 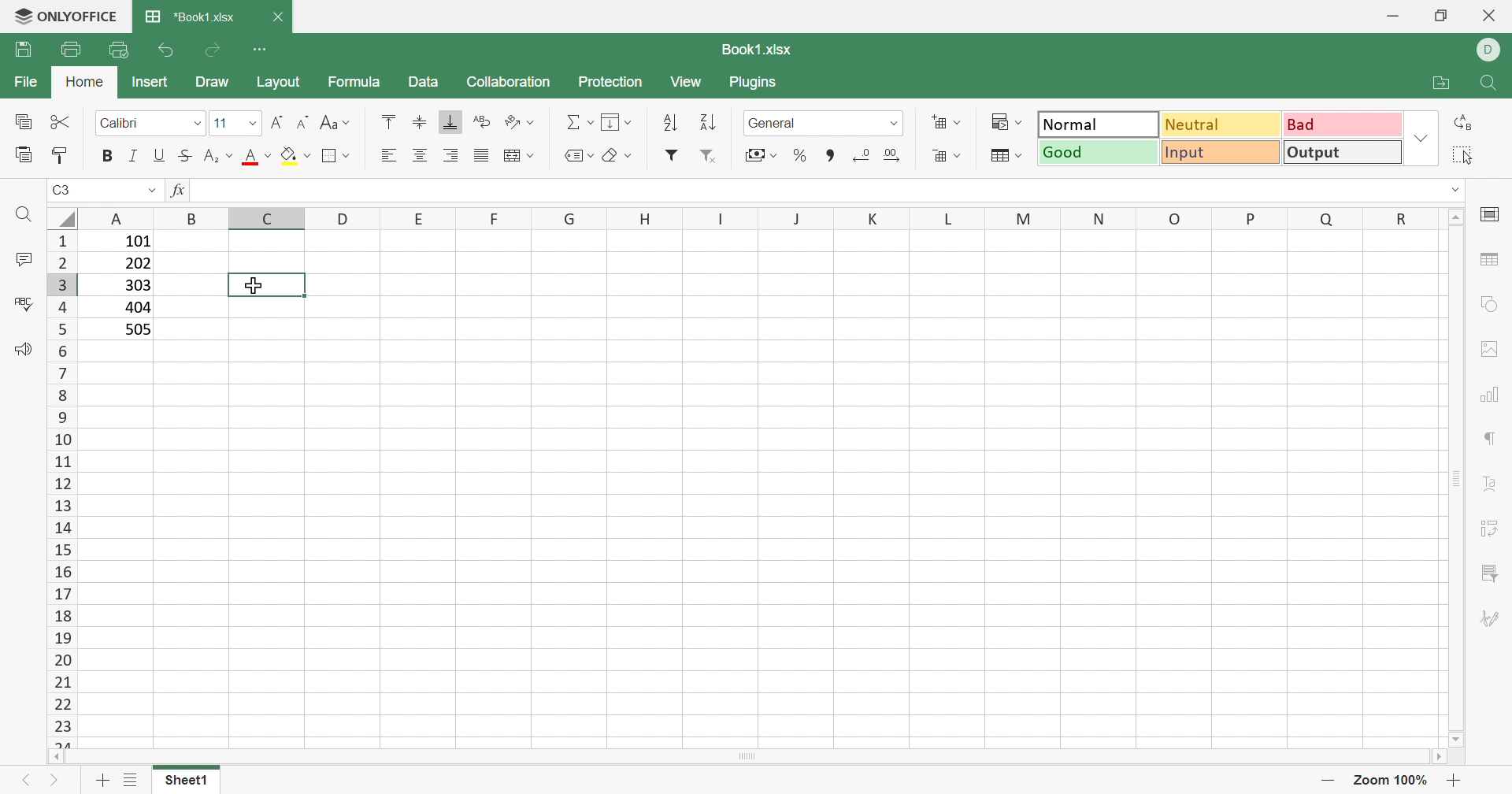 I want to click on fx, so click(x=178, y=192).